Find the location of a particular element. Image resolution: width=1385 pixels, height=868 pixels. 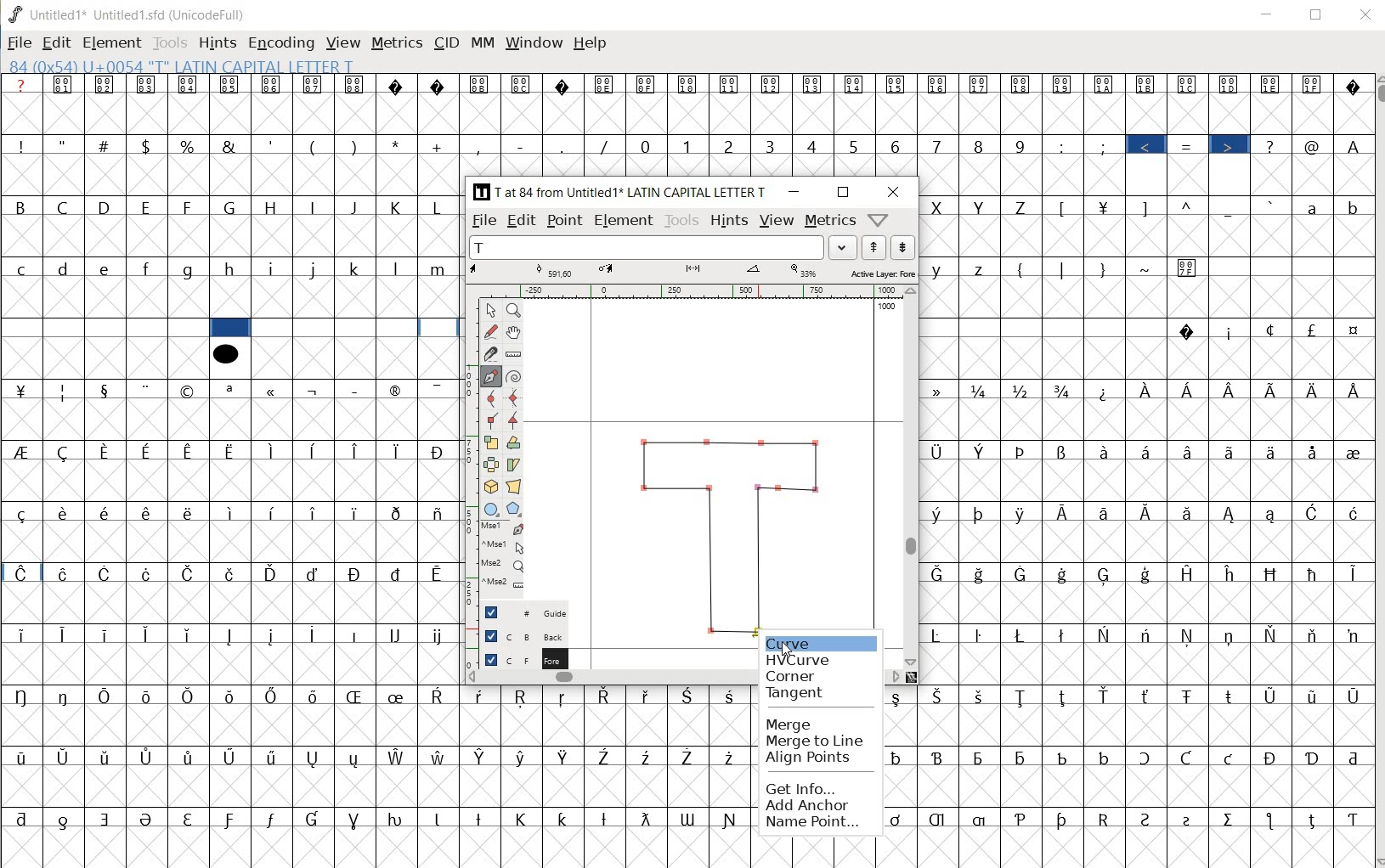

Symbol is located at coordinates (1234, 574).